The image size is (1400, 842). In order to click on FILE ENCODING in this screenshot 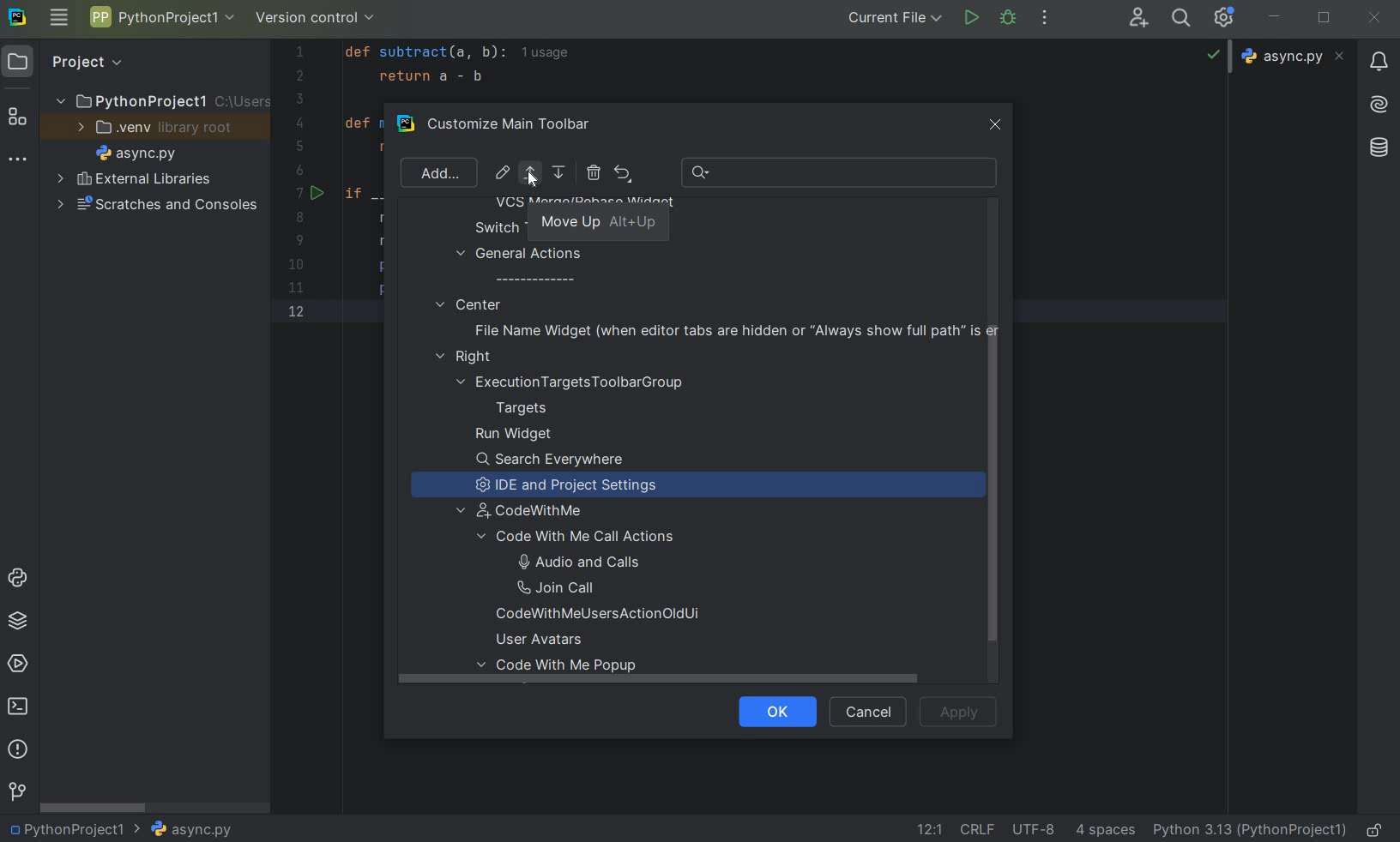, I will do `click(1040, 829)`.